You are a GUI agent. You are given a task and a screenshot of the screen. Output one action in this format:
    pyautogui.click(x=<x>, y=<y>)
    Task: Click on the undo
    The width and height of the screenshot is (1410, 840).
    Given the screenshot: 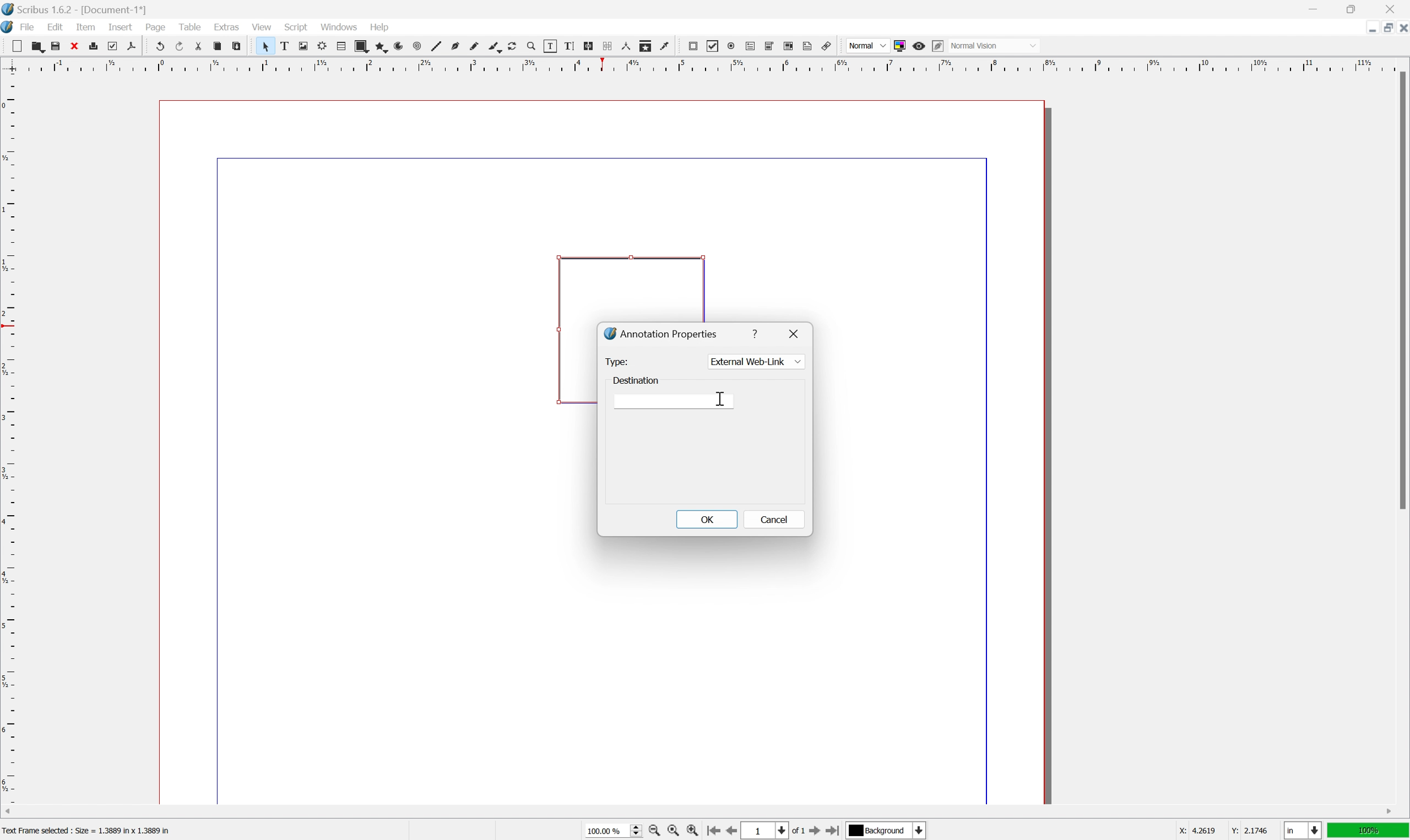 What is the action you would take?
    pyautogui.click(x=158, y=45)
    